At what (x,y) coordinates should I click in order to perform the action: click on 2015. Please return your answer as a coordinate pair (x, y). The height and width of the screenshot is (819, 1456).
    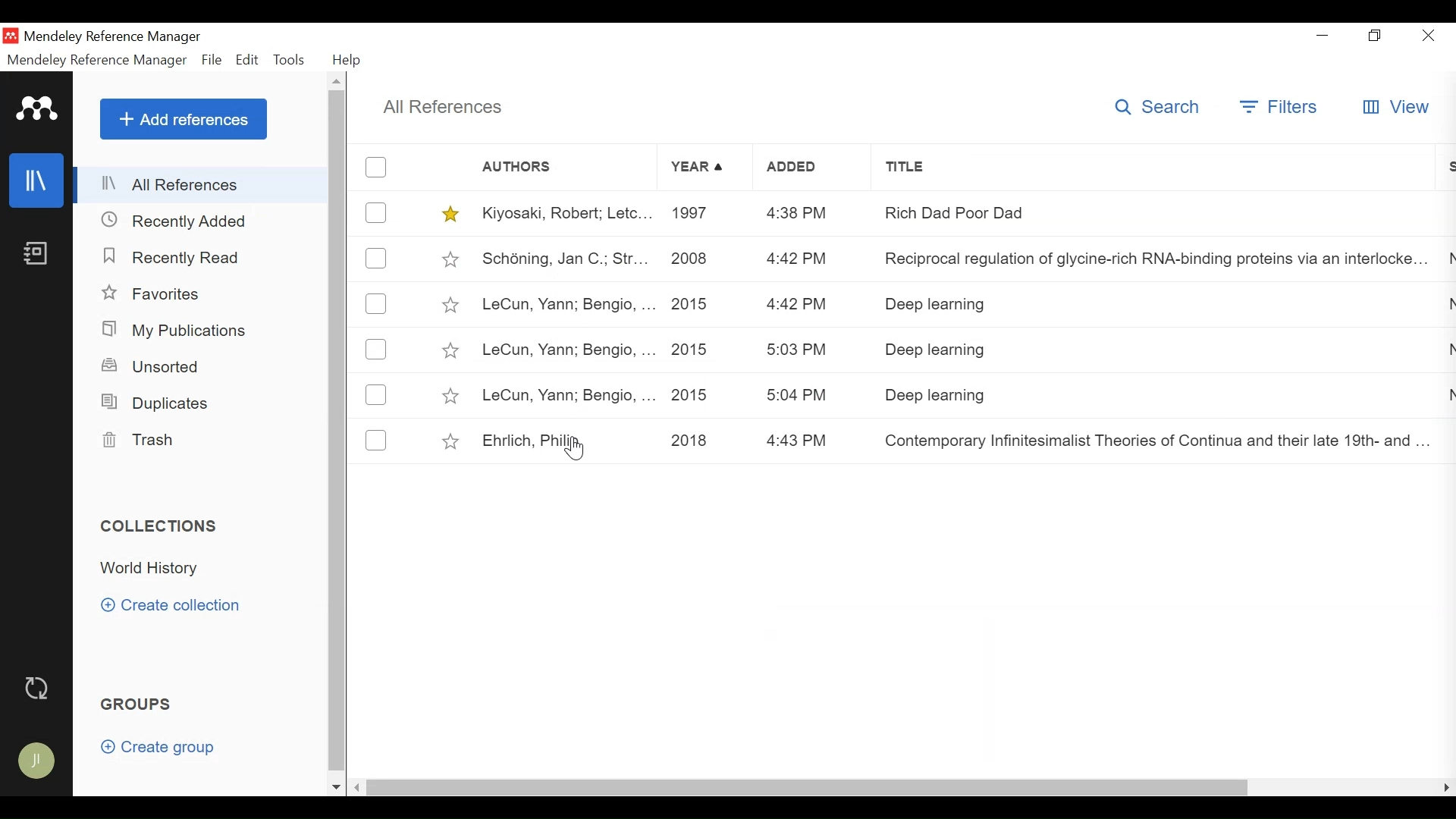
    Looking at the image, I should click on (695, 393).